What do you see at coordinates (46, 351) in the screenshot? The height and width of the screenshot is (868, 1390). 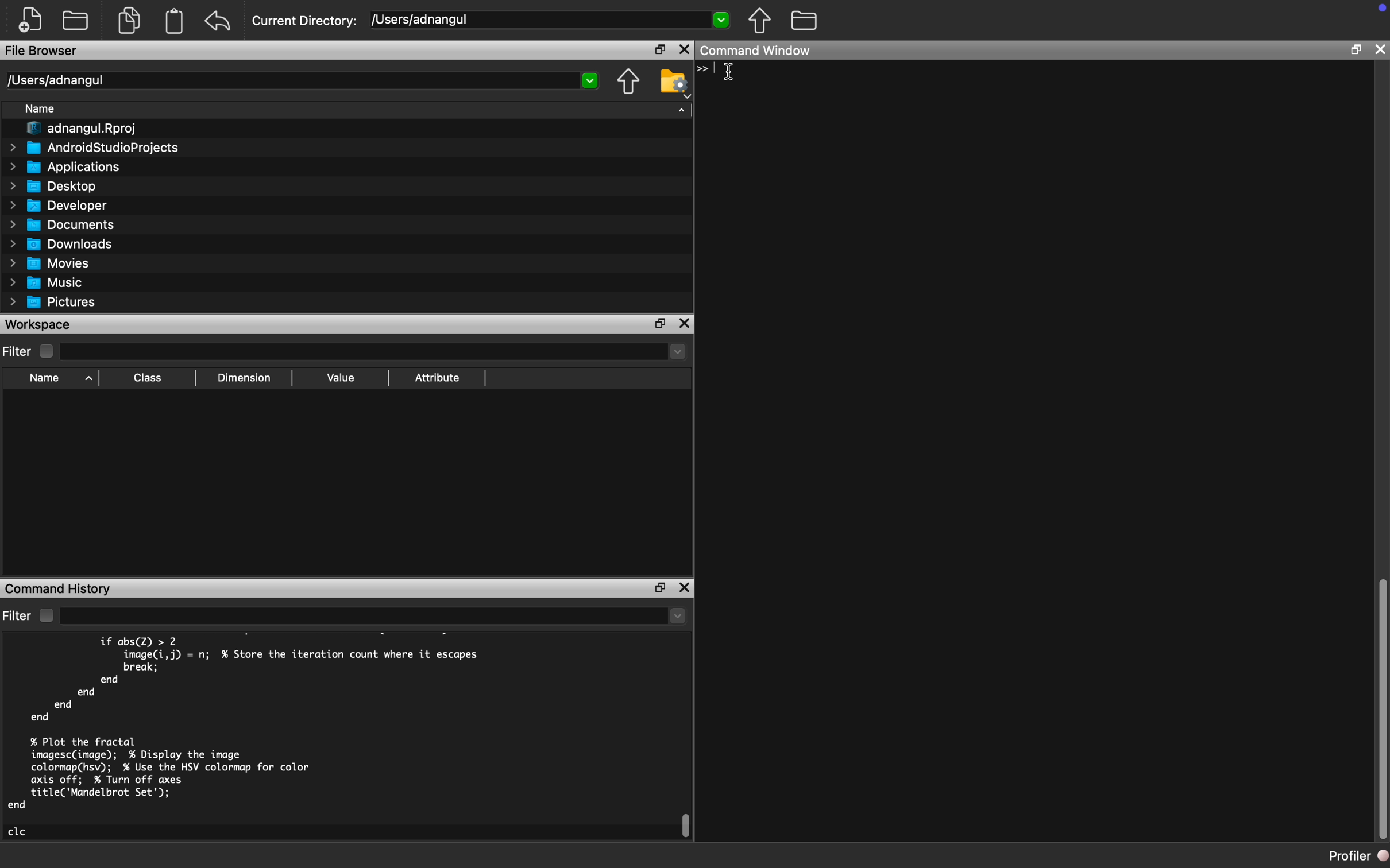 I see `Checkbox` at bounding box center [46, 351].